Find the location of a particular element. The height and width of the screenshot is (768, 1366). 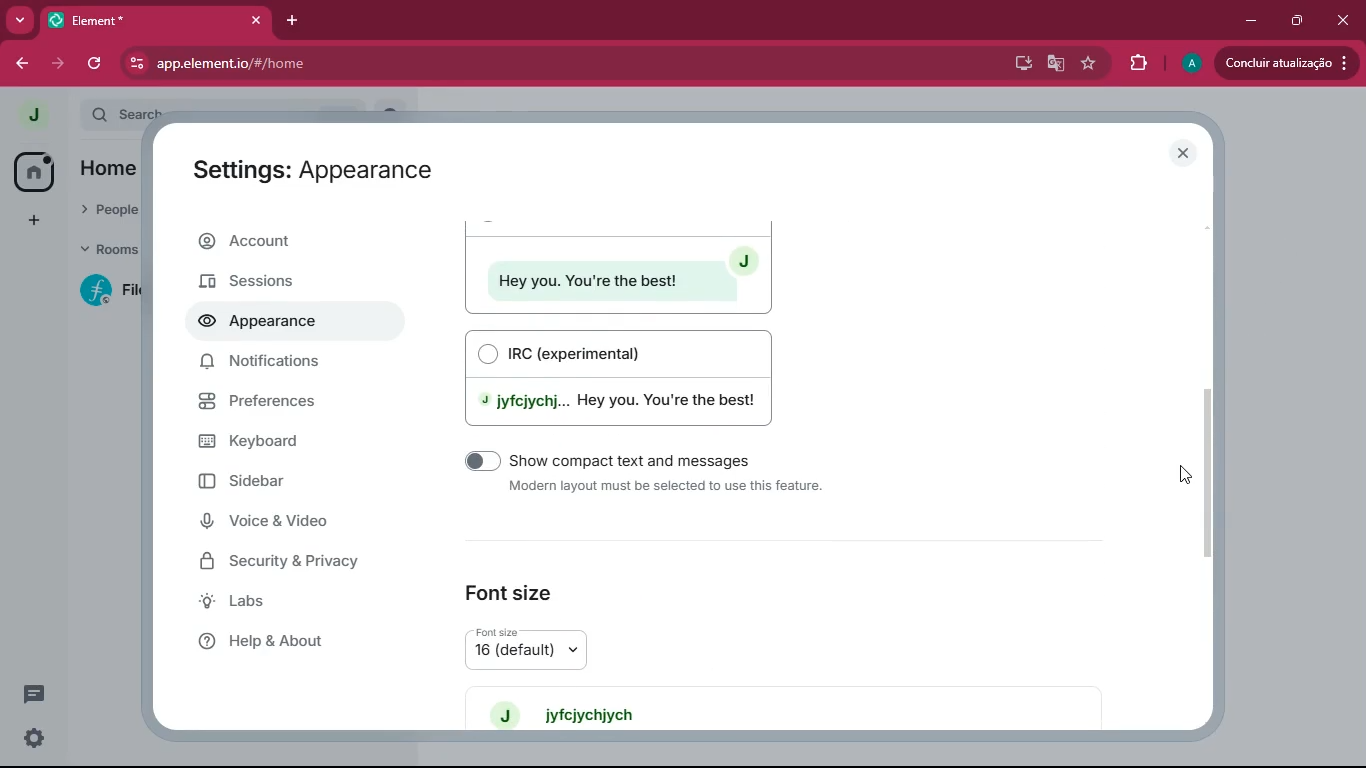

close is located at coordinates (1344, 15).